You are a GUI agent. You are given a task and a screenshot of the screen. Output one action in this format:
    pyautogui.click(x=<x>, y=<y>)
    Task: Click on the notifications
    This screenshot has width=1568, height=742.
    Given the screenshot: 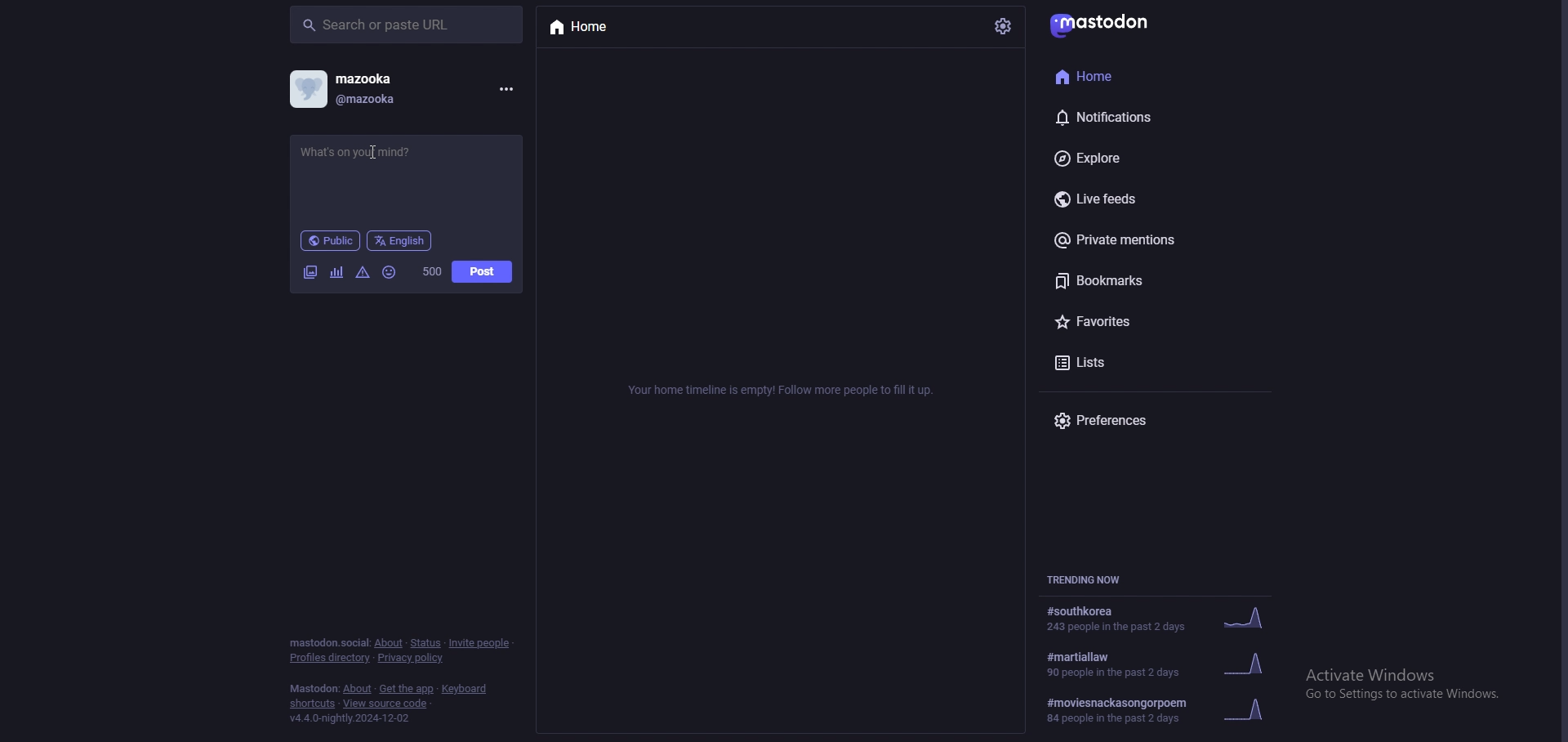 What is the action you would take?
    pyautogui.click(x=1127, y=118)
    